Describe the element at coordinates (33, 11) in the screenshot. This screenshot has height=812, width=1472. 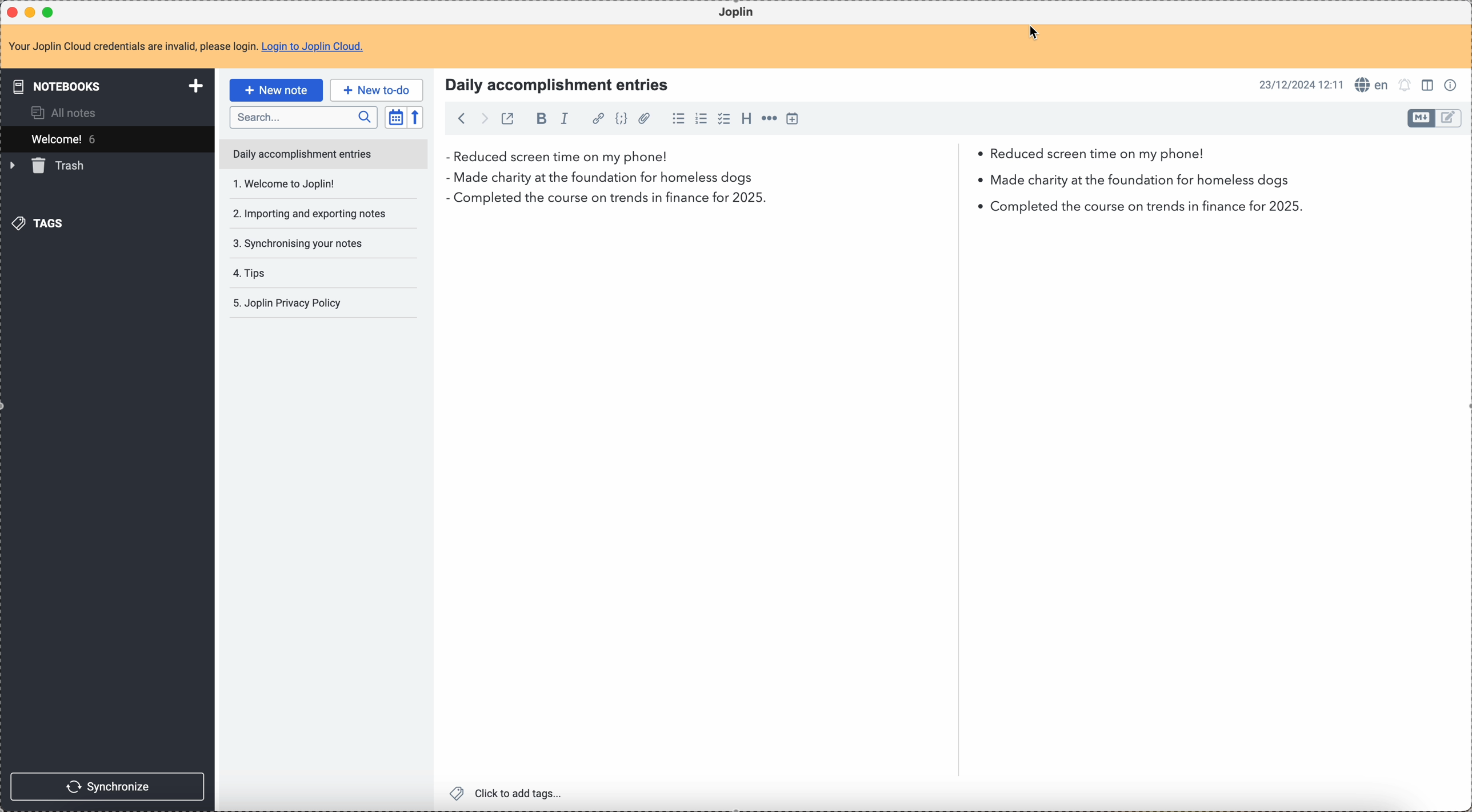
I see `minimize` at that location.